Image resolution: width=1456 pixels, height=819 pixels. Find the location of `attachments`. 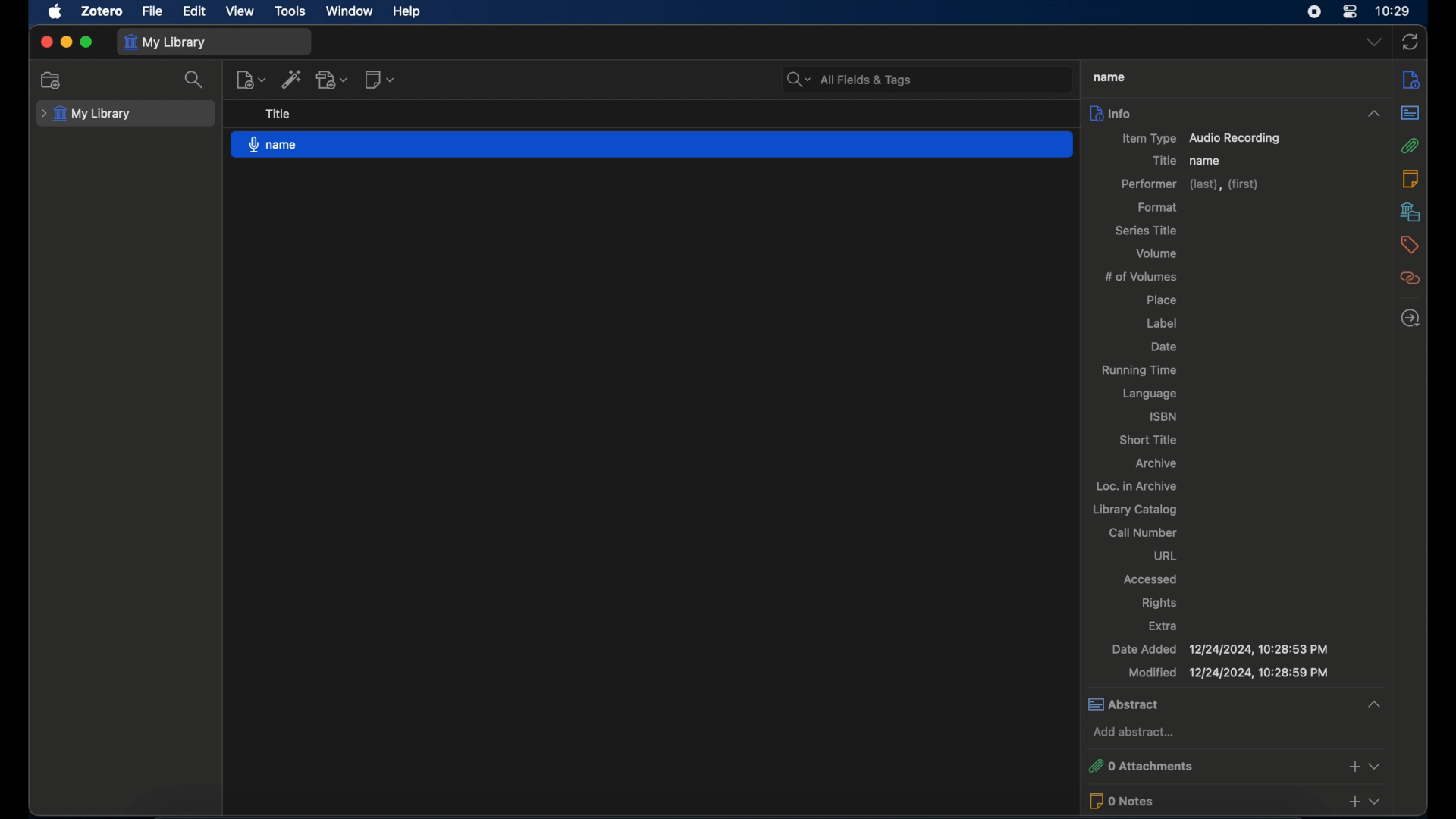

attachments is located at coordinates (1412, 146).